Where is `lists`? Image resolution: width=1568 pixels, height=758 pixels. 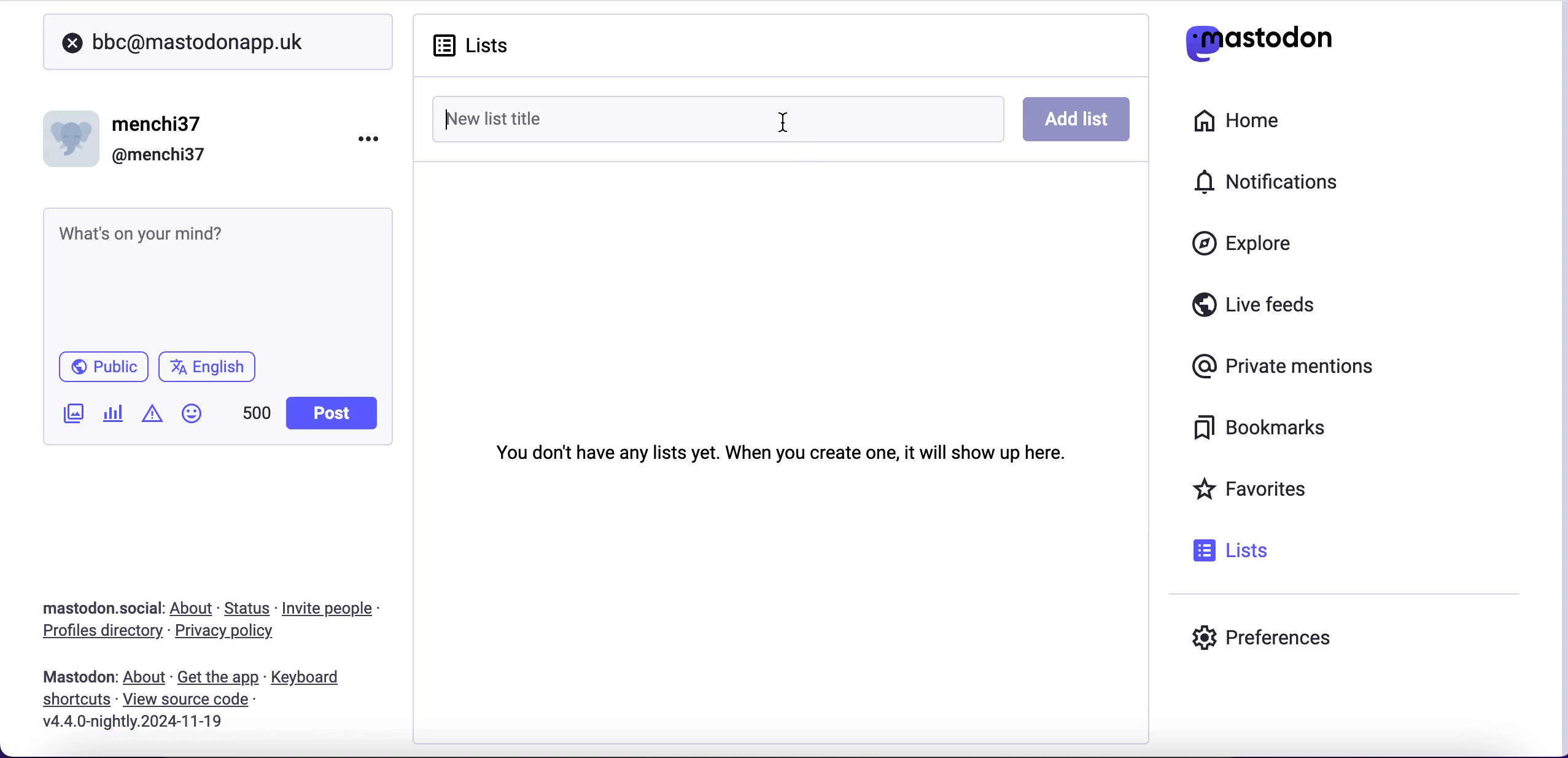 lists is located at coordinates (1227, 550).